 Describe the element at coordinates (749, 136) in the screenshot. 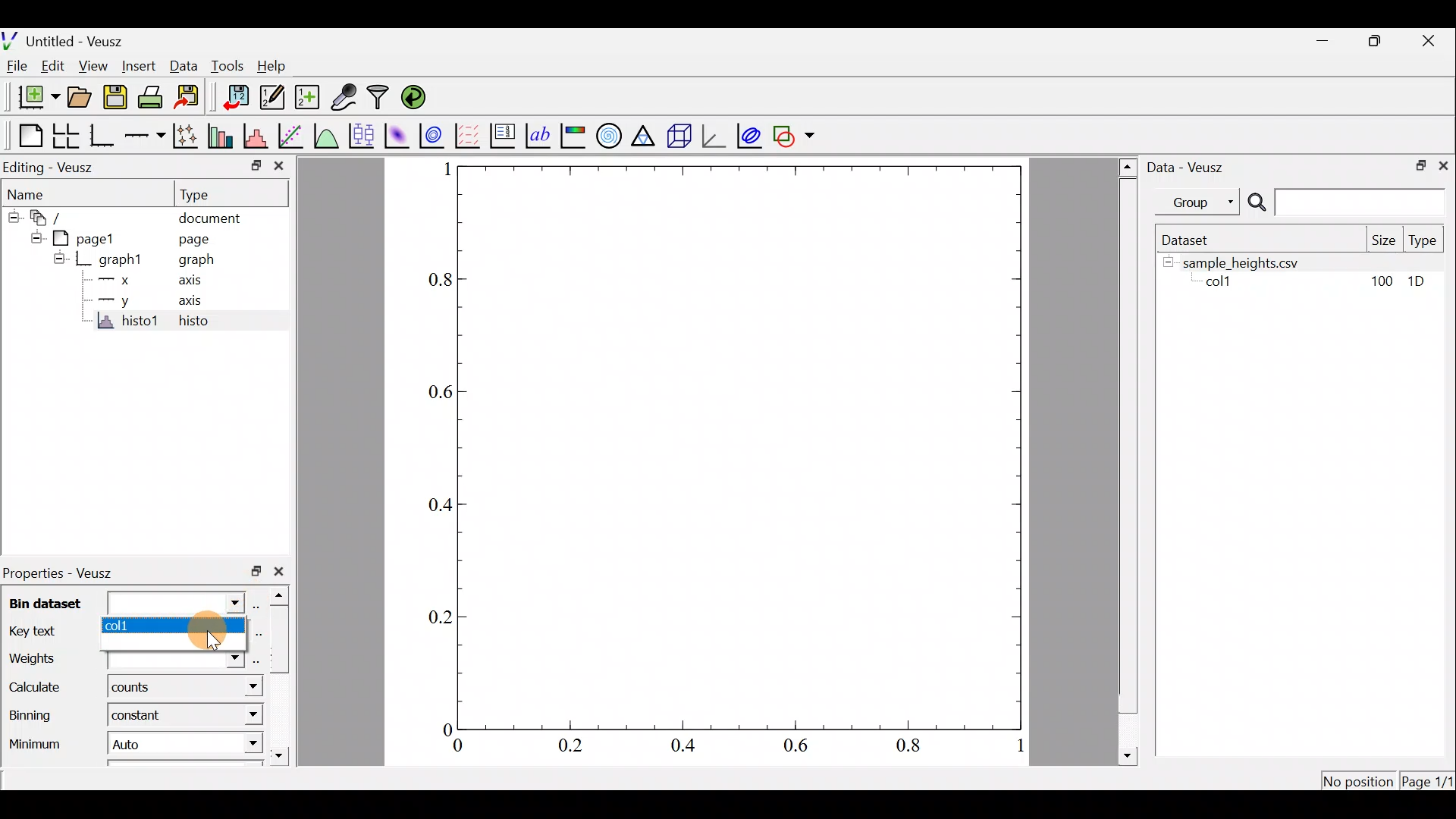

I see `plot covariance ellipses` at that location.